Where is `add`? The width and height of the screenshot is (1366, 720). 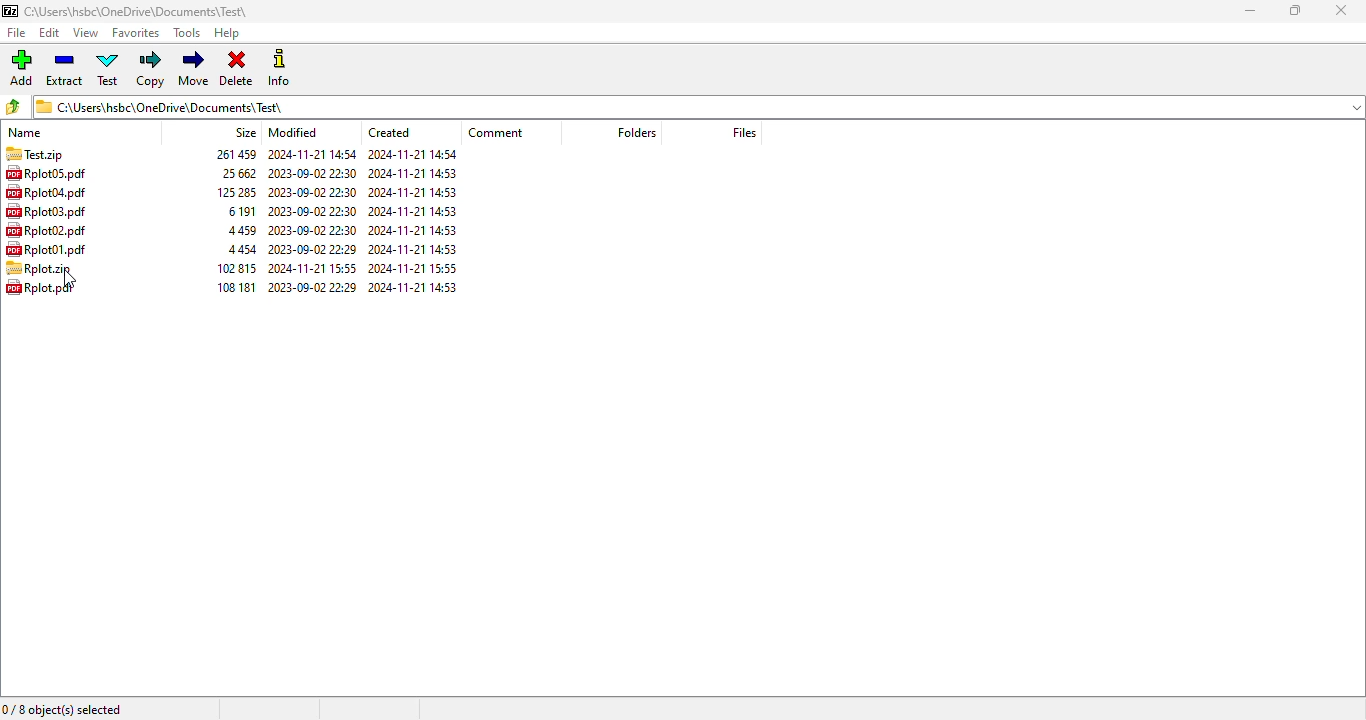
add is located at coordinates (21, 66).